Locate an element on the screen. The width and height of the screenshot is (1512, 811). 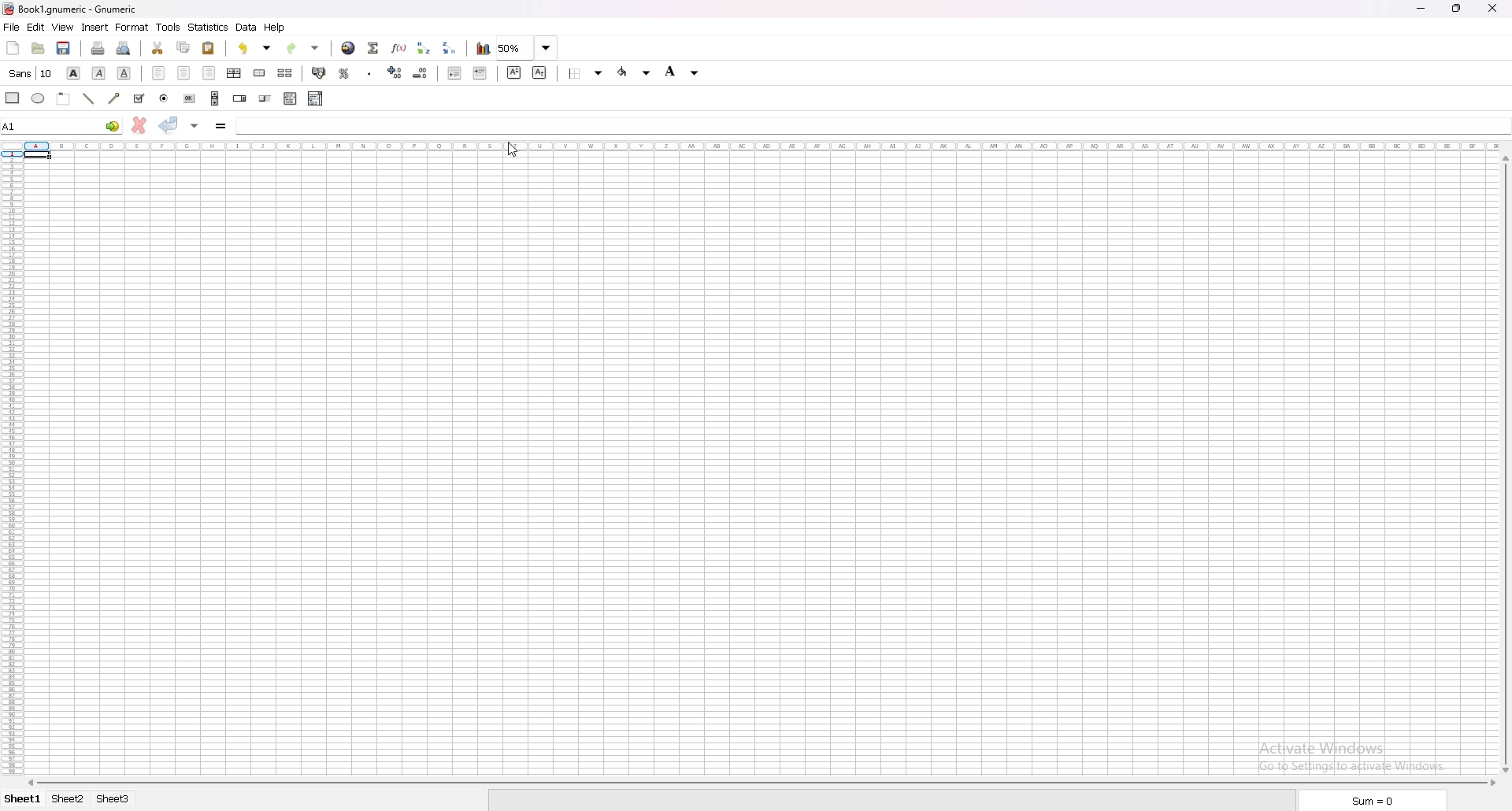
view is located at coordinates (62, 26).